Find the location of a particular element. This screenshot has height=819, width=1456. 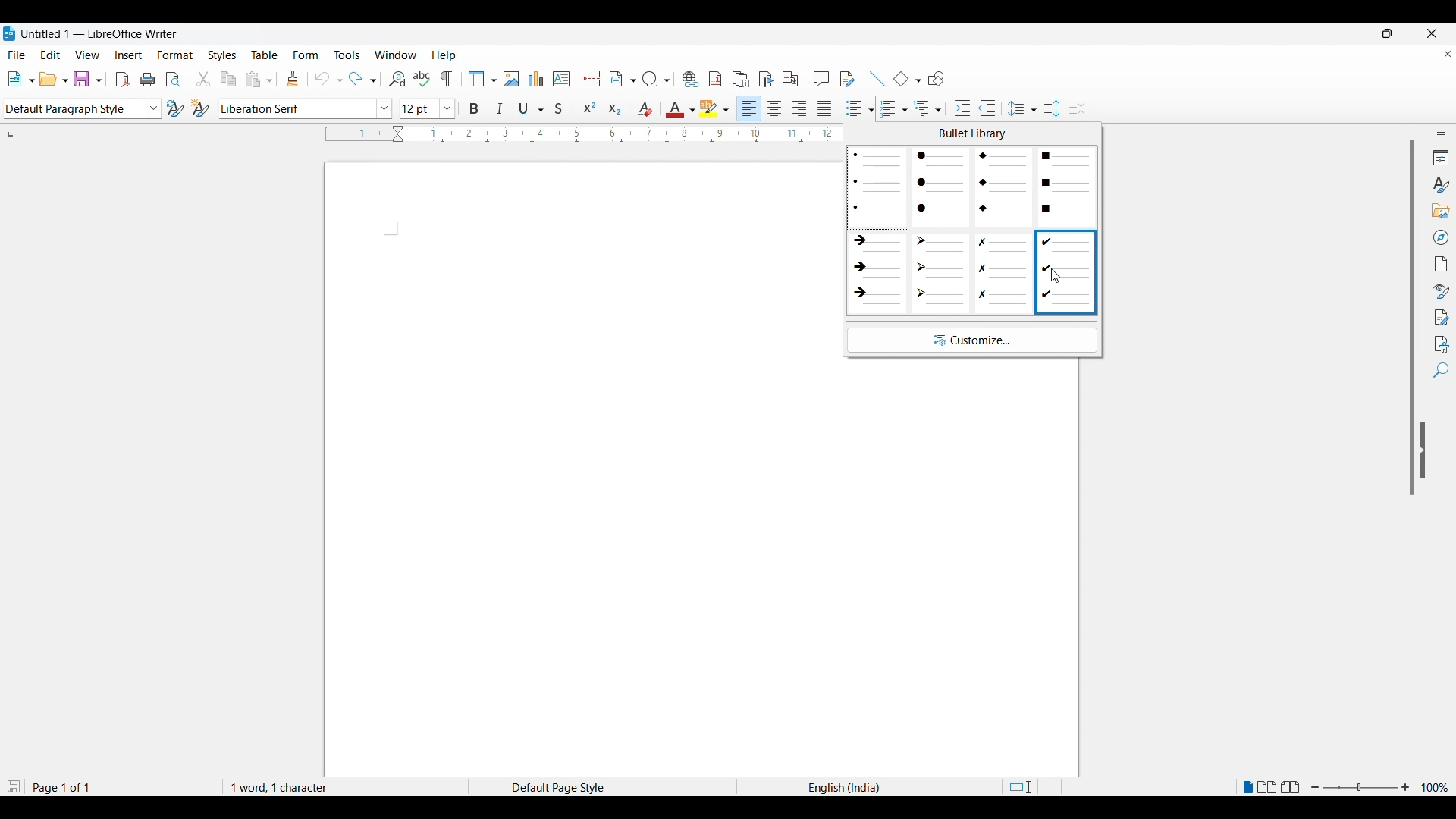

Standard selection is located at coordinates (1031, 786).